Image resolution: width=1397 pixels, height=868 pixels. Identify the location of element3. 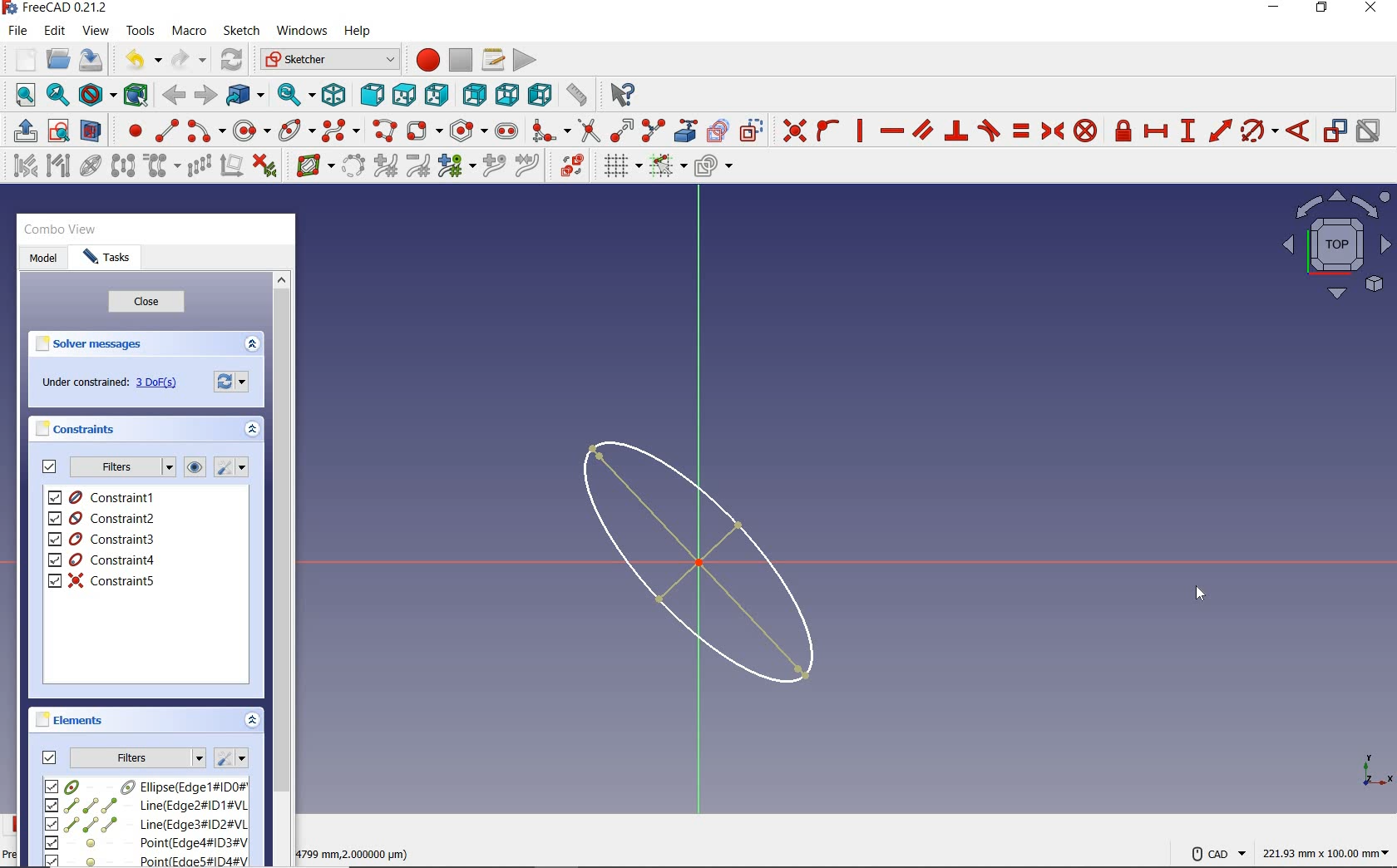
(146, 824).